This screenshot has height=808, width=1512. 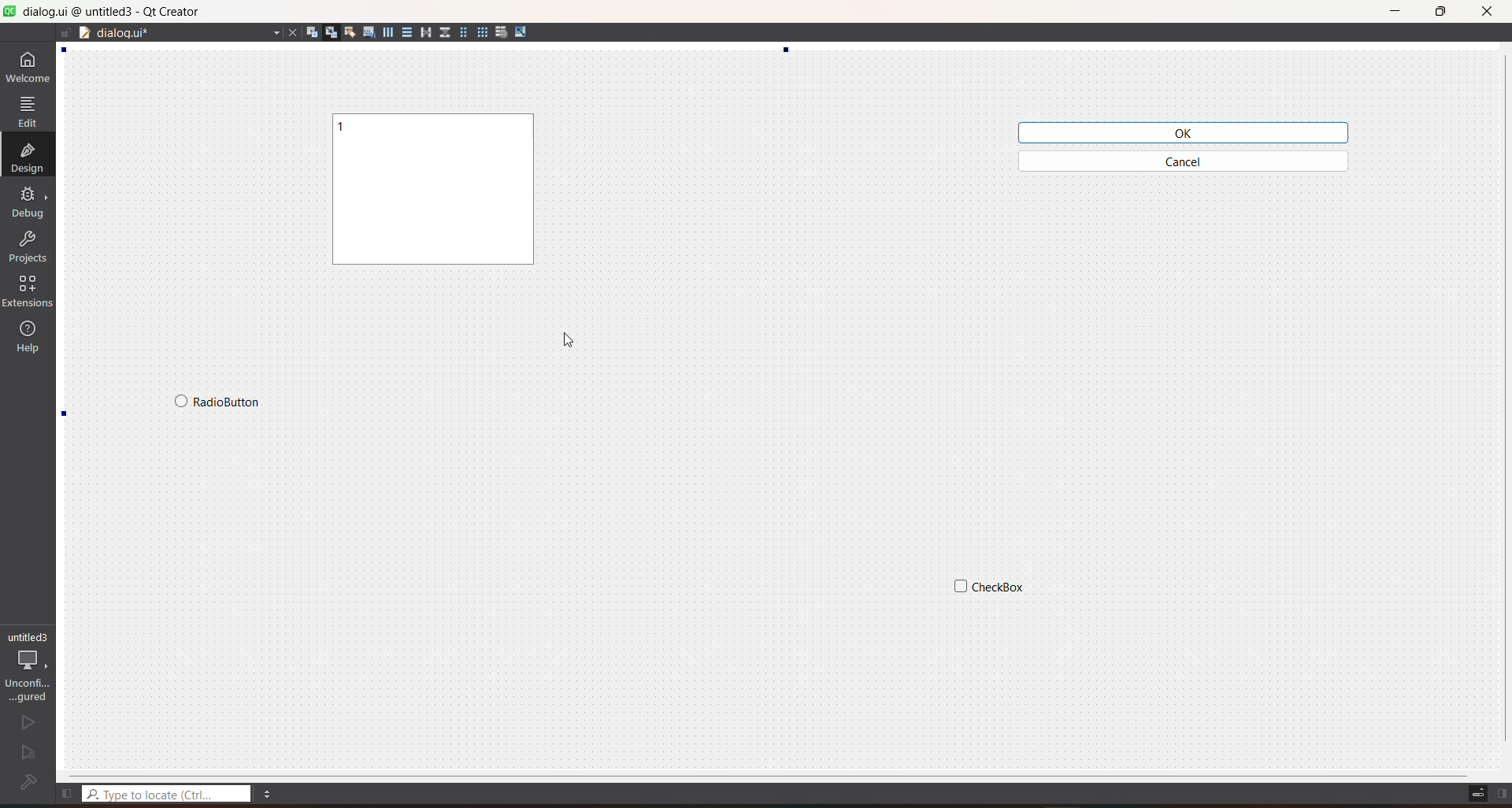 What do you see at coordinates (387, 32) in the screenshot?
I see `layout horizontally` at bounding box center [387, 32].